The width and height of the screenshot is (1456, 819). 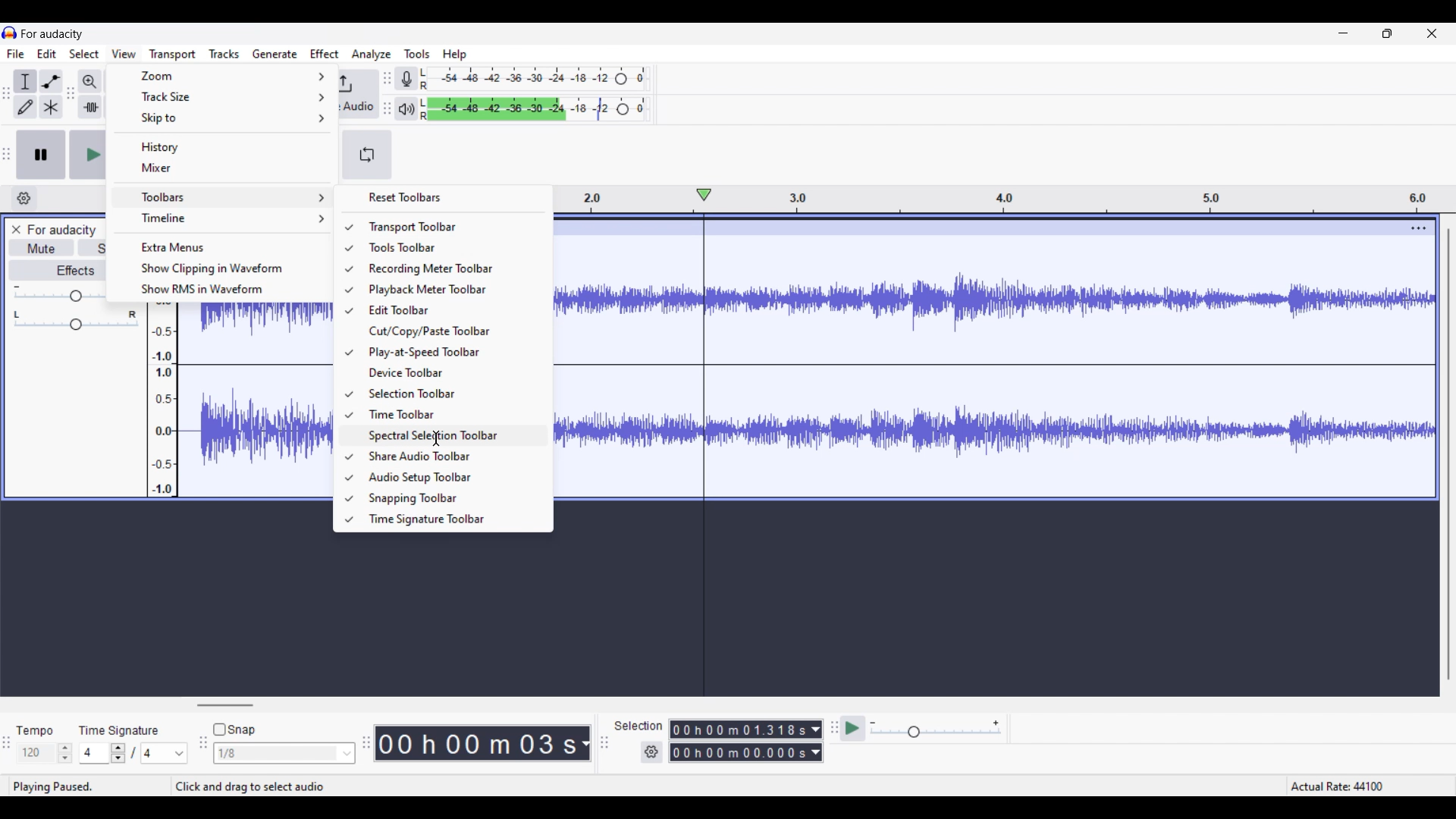 I want to click on Transport toolbar, so click(x=449, y=226).